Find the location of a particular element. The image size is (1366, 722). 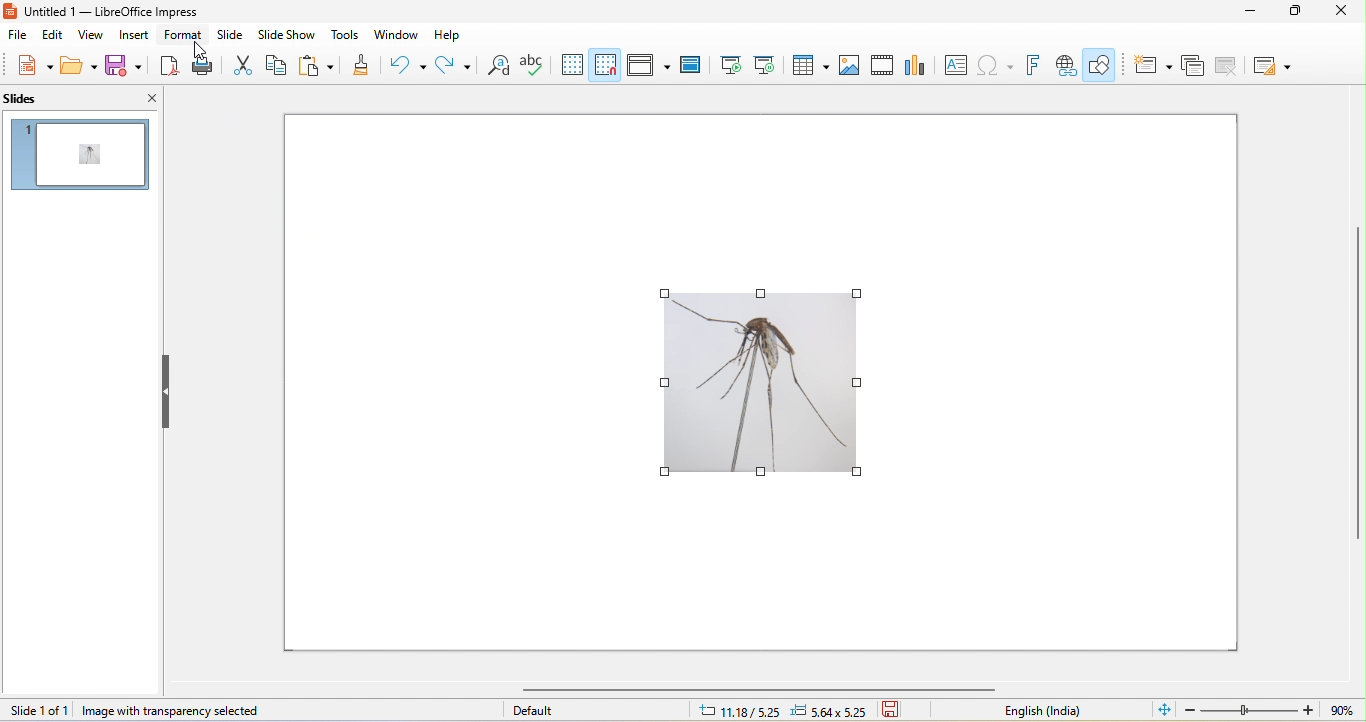

cursor and object position changed is located at coordinates (791, 709).